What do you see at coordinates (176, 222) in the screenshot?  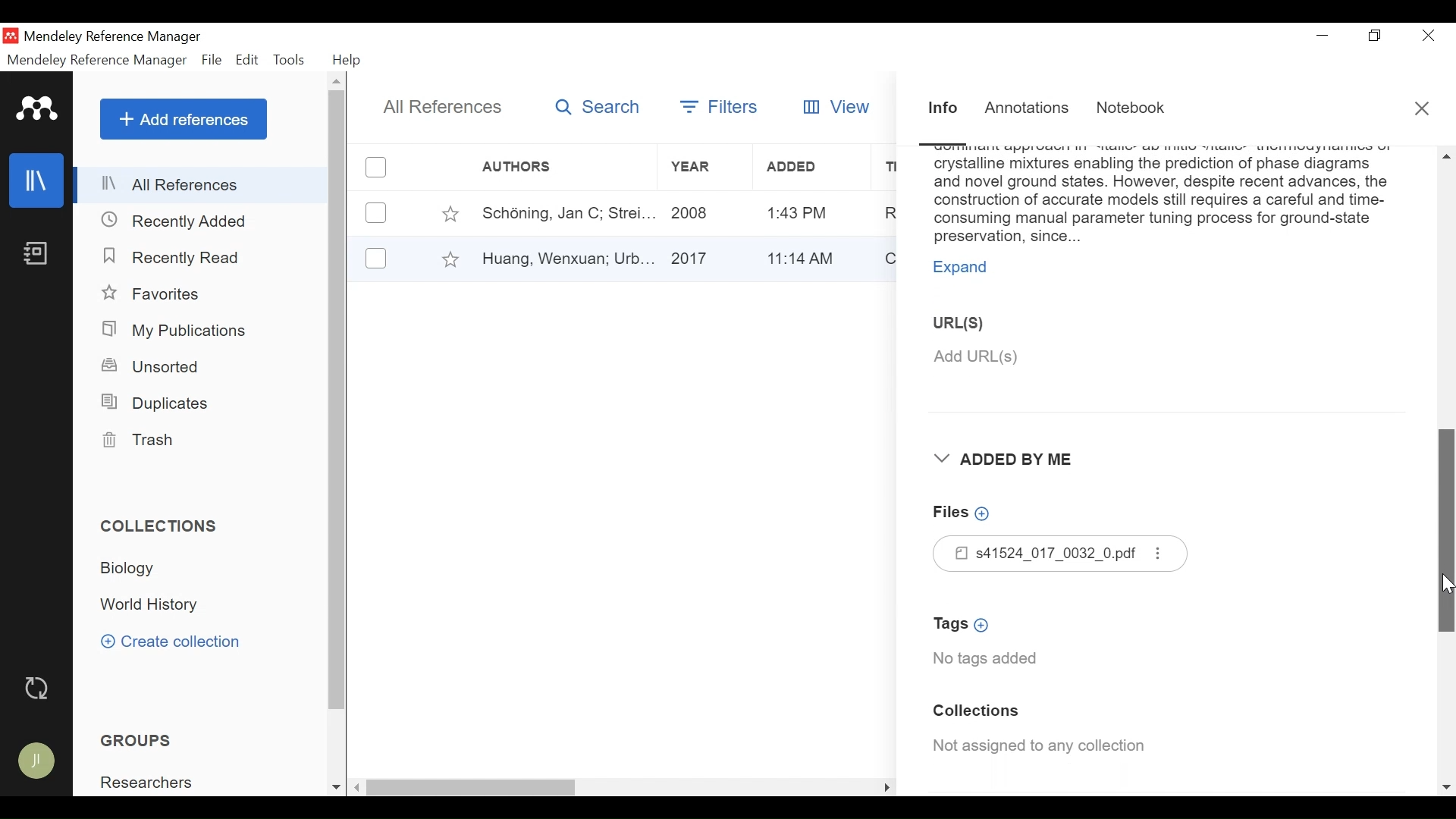 I see `Recently Added` at bounding box center [176, 222].